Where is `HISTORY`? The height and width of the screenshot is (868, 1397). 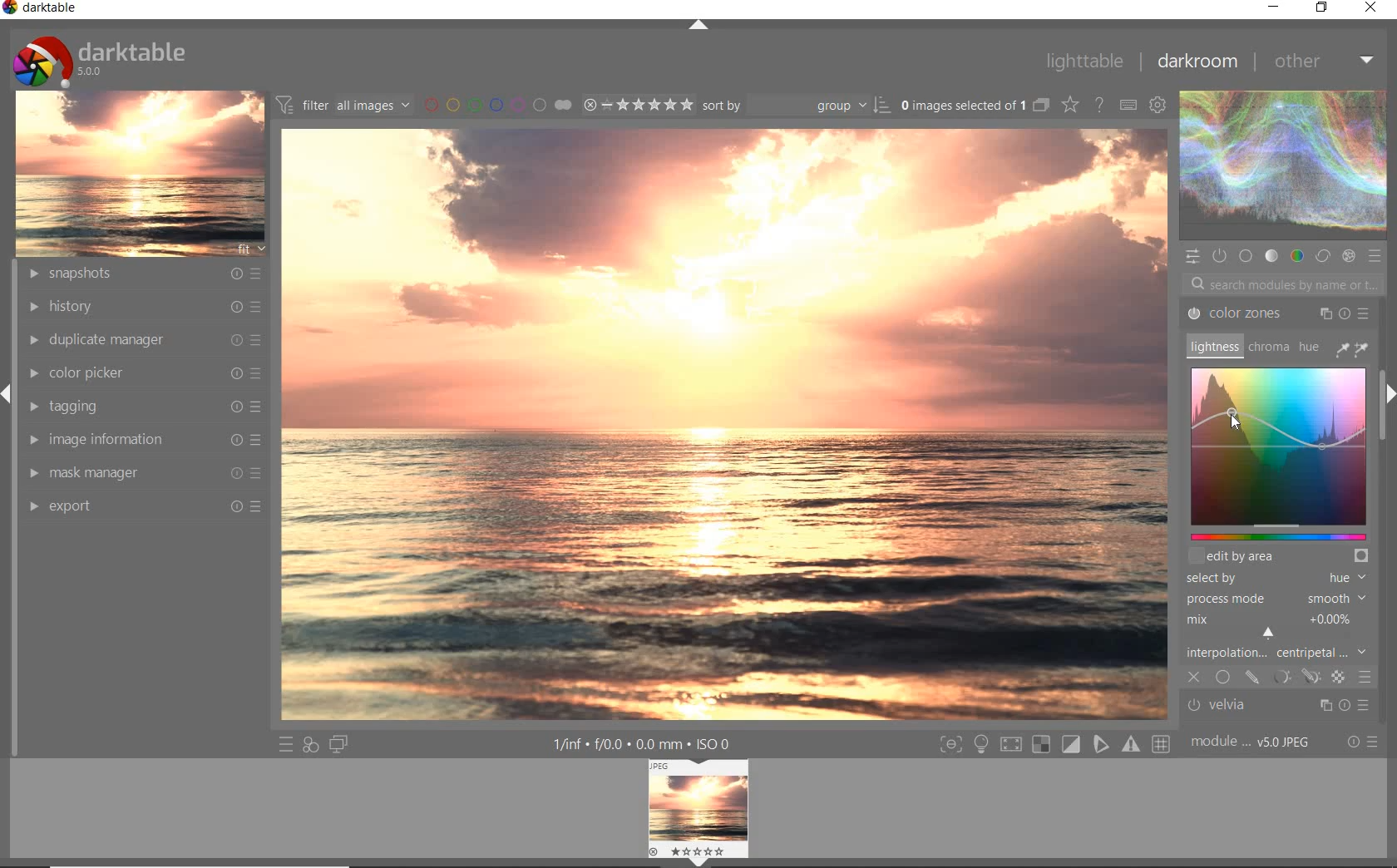
HISTORY is located at coordinates (143, 307).